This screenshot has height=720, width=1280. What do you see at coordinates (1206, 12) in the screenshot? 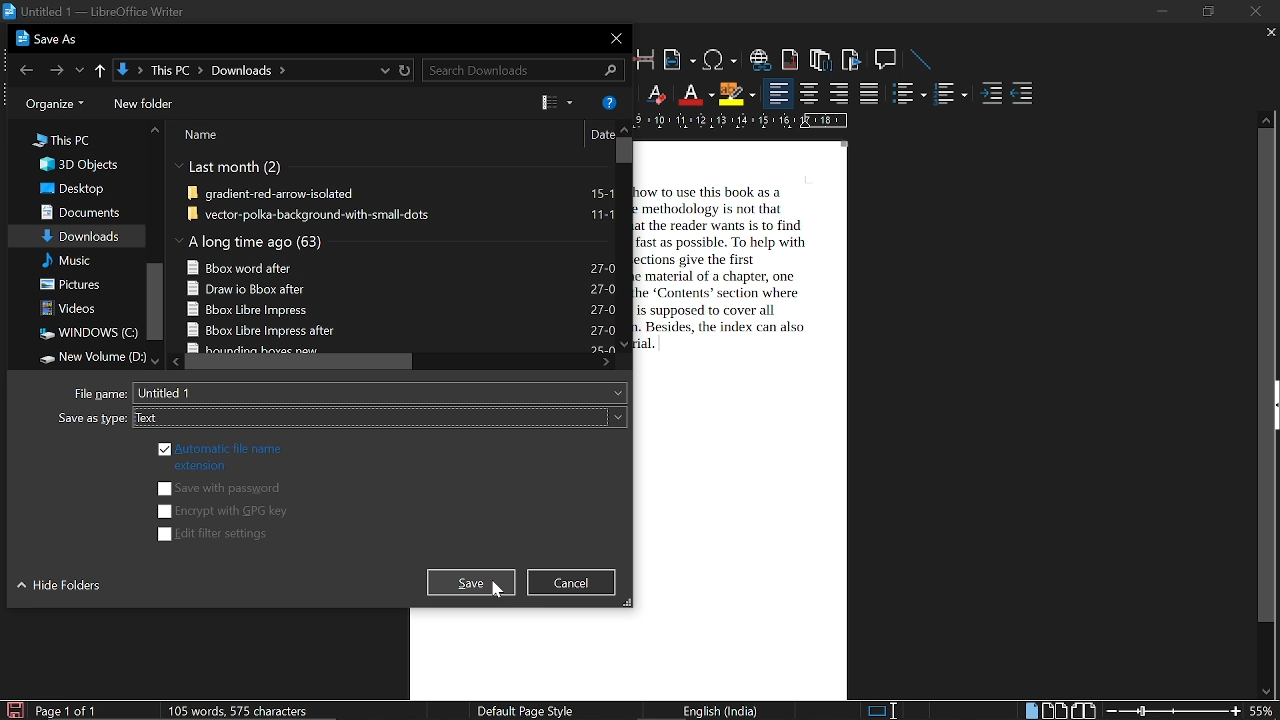
I see `restore down` at bounding box center [1206, 12].